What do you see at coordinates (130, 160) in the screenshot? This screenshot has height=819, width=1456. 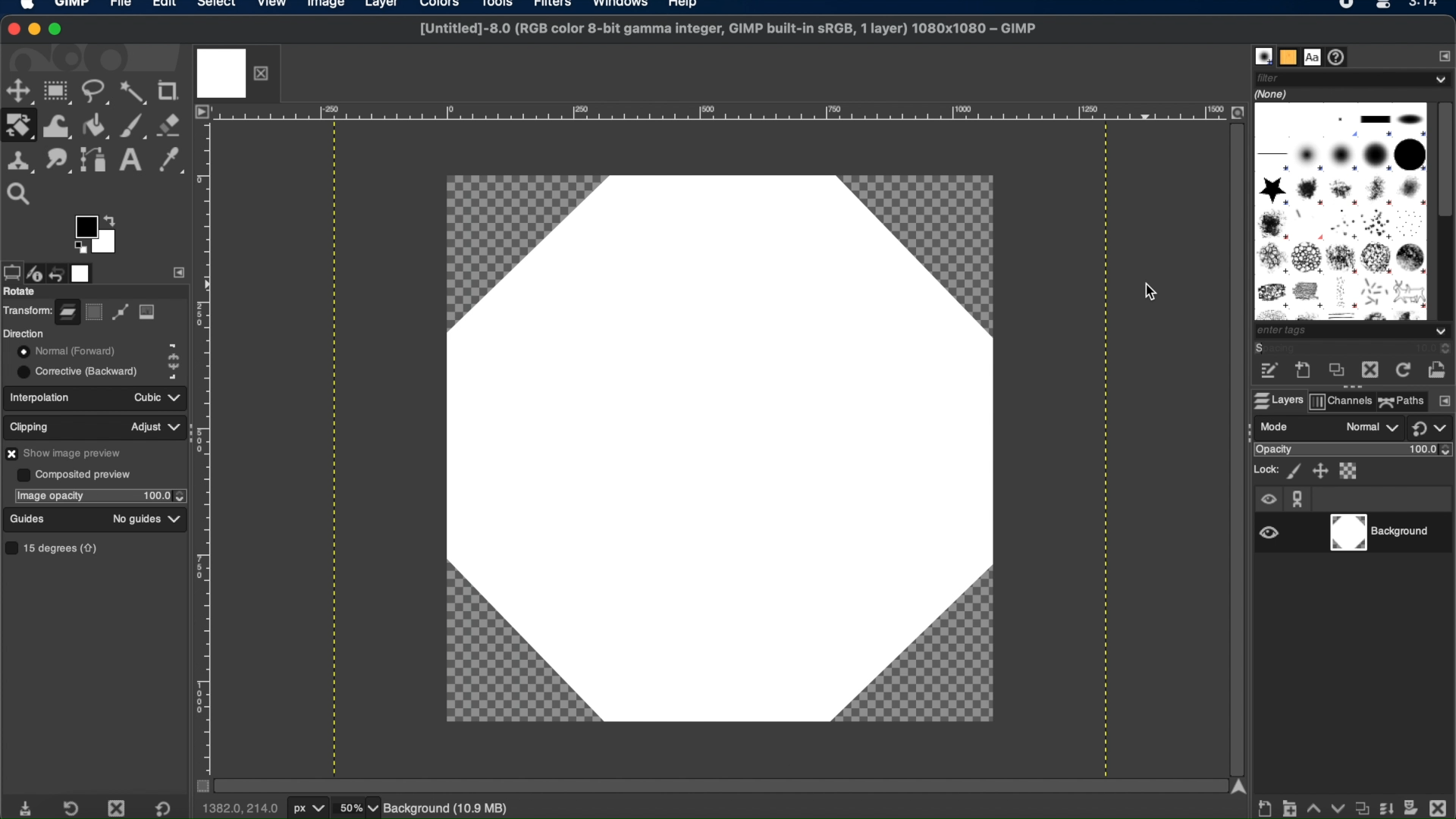 I see `text tool ` at bounding box center [130, 160].